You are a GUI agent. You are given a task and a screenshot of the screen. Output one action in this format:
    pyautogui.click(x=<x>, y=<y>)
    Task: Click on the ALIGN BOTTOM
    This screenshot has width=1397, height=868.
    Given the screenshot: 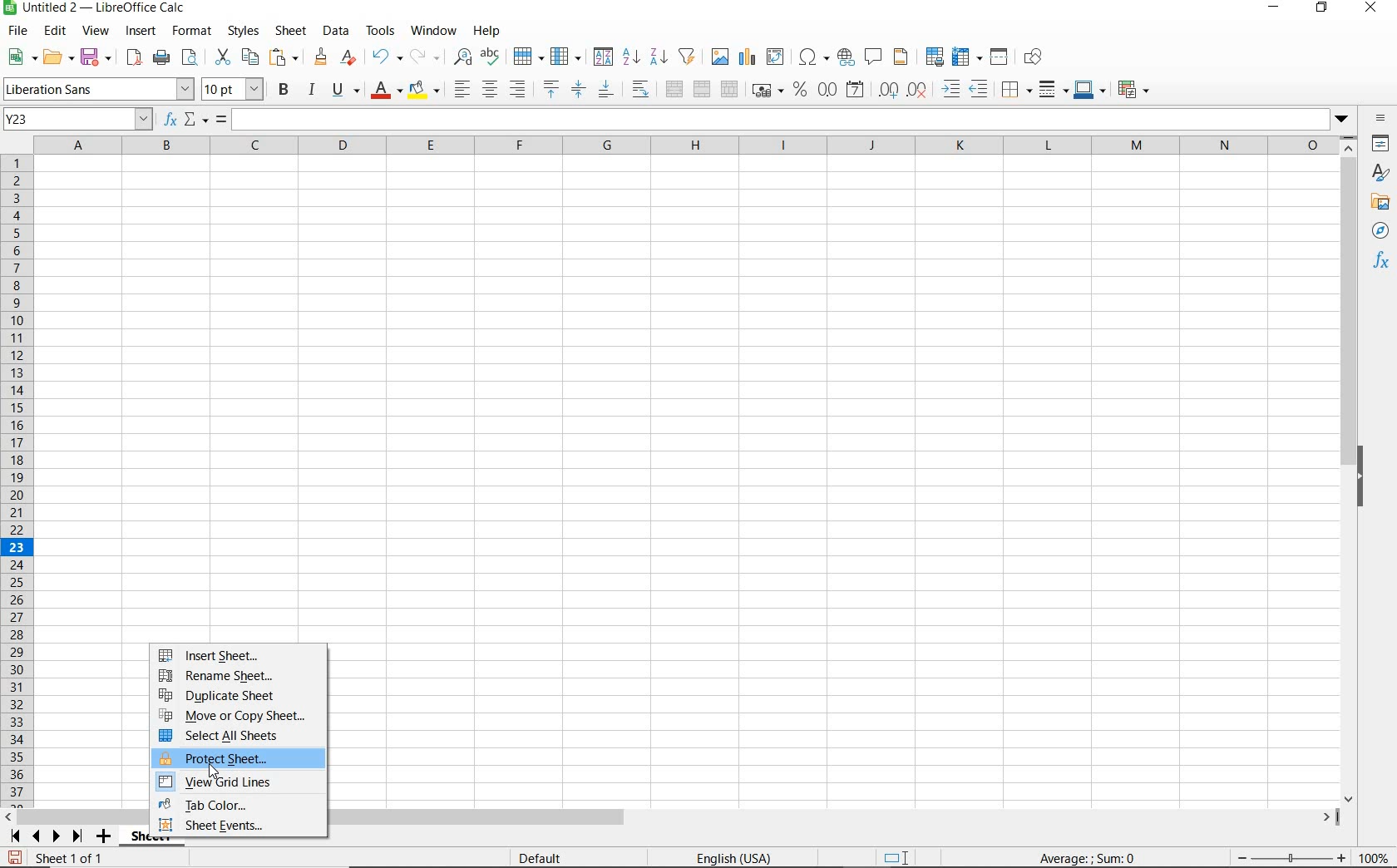 What is the action you would take?
    pyautogui.click(x=605, y=91)
    